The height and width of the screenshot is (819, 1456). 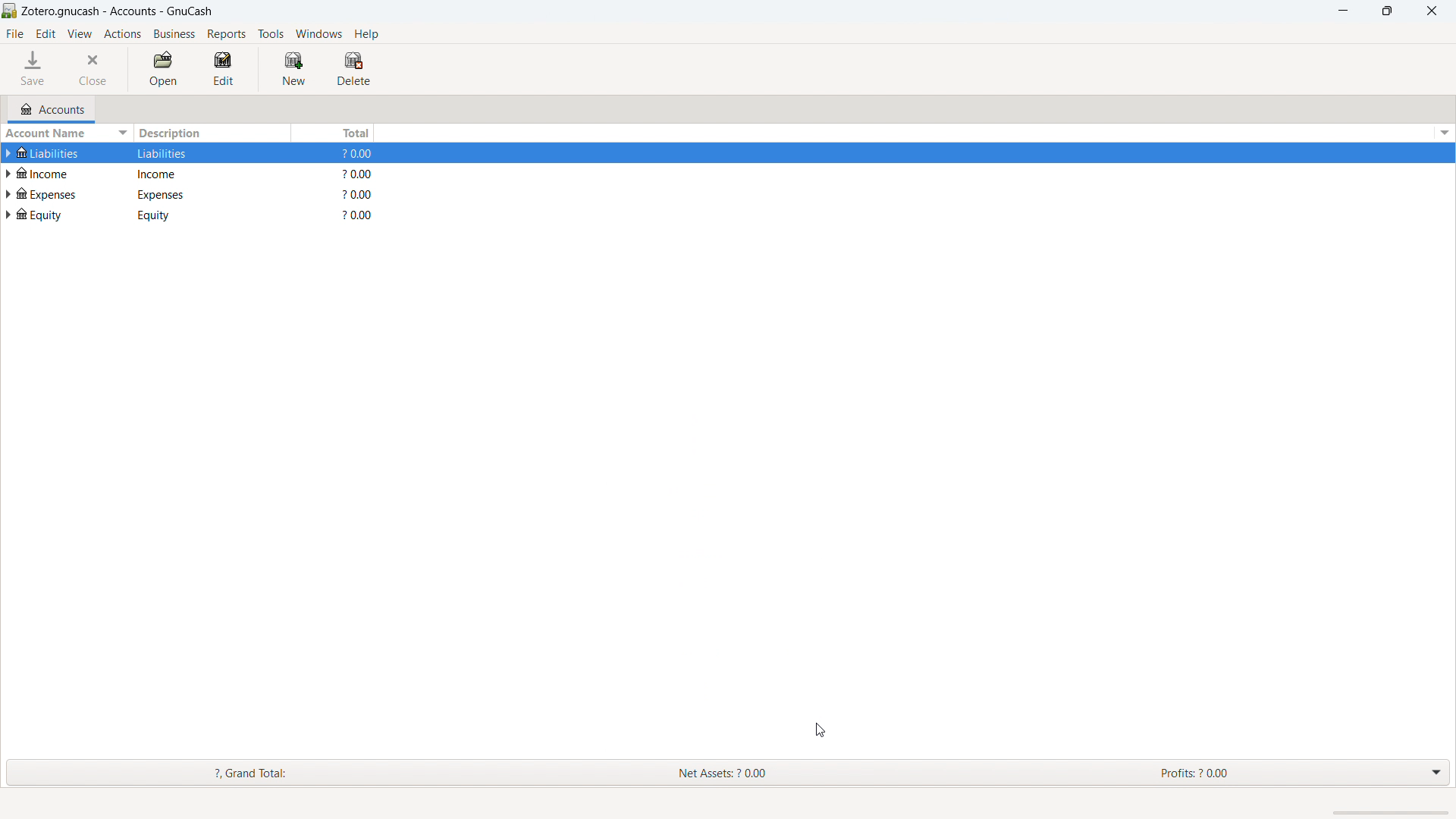 What do you see at coordinates (171, 153) in the screenshot?
I see `Liabilities` at bounding box center [171, 153].